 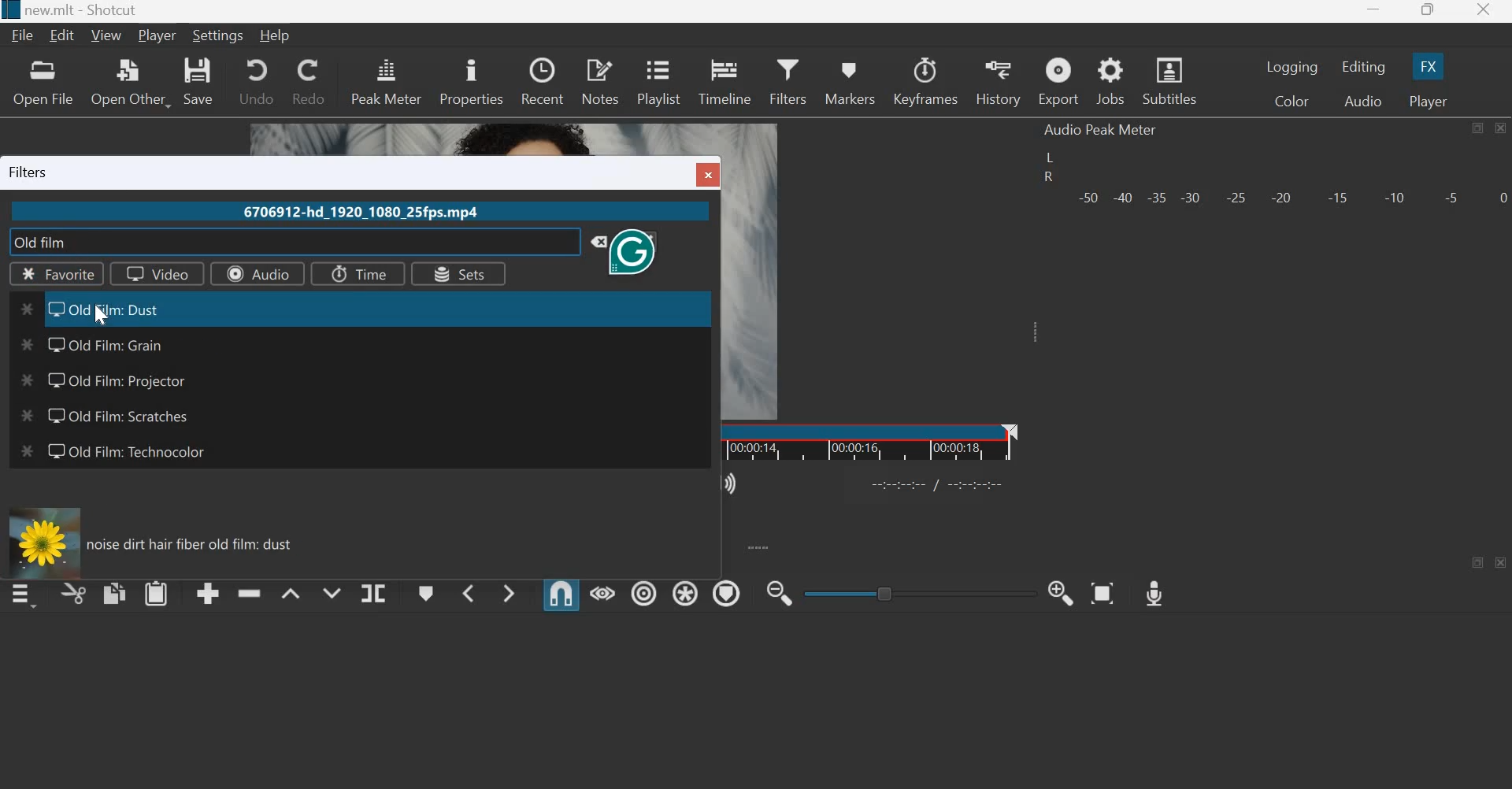 I want to click on markers, so click(x=848, y=83).